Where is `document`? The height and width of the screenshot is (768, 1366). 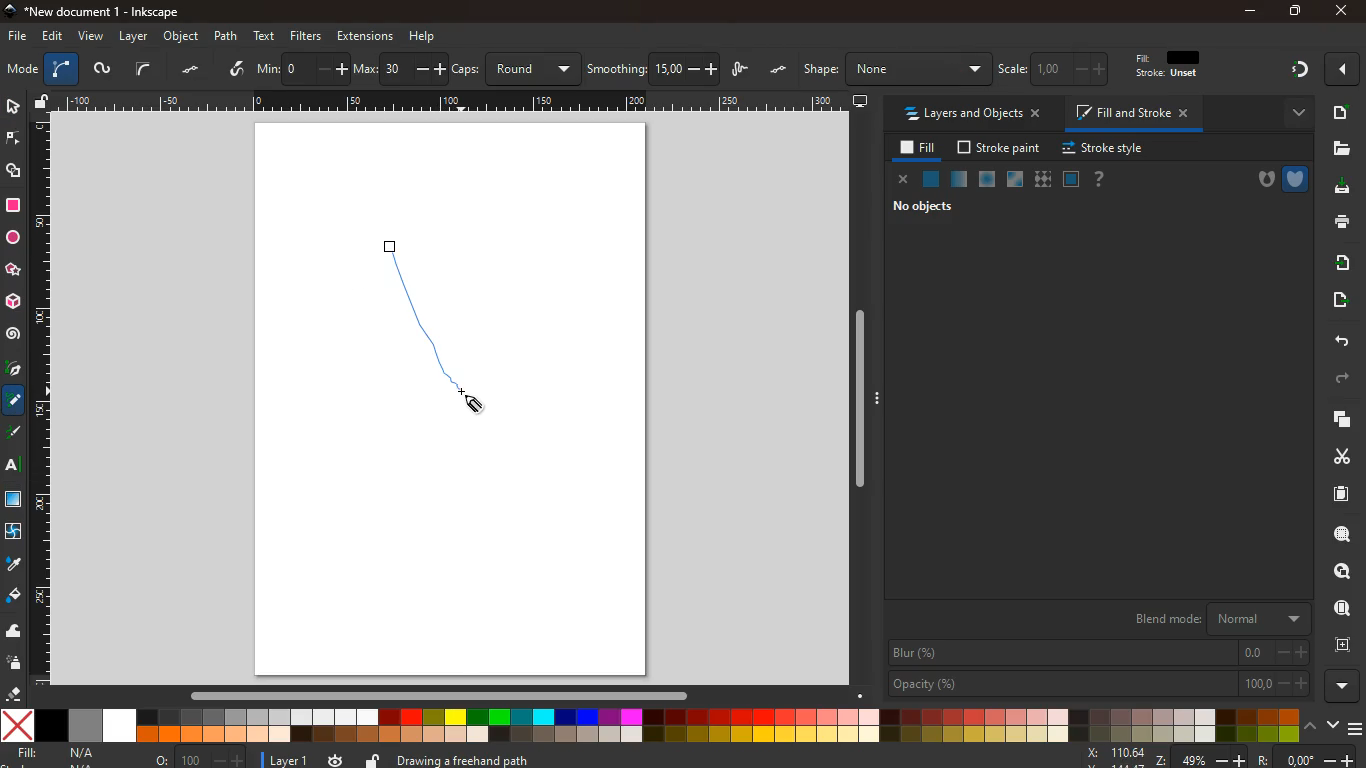 document is located at coordinates (1343, 493).